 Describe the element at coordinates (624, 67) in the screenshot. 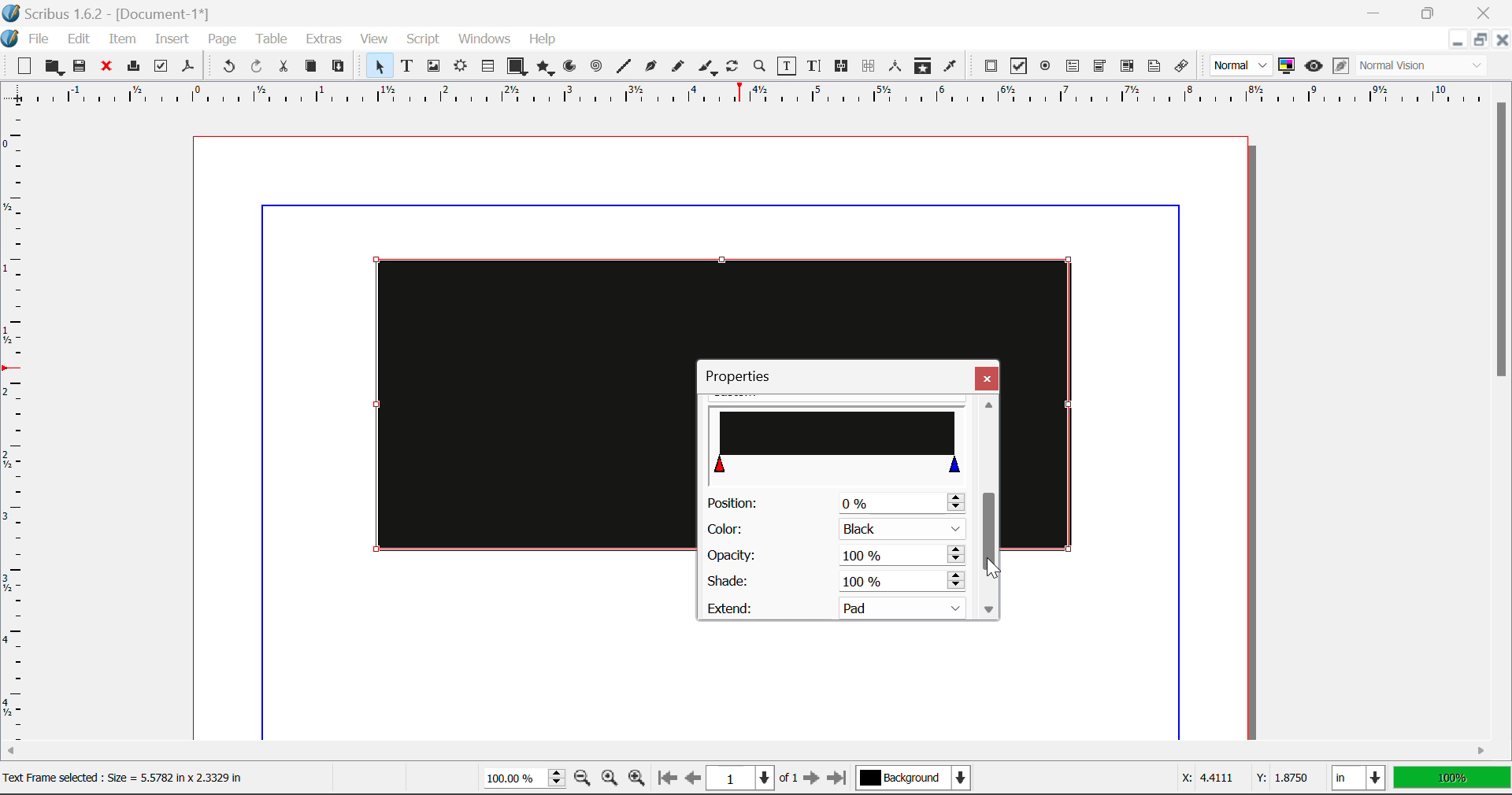

I see `Line` at that location.